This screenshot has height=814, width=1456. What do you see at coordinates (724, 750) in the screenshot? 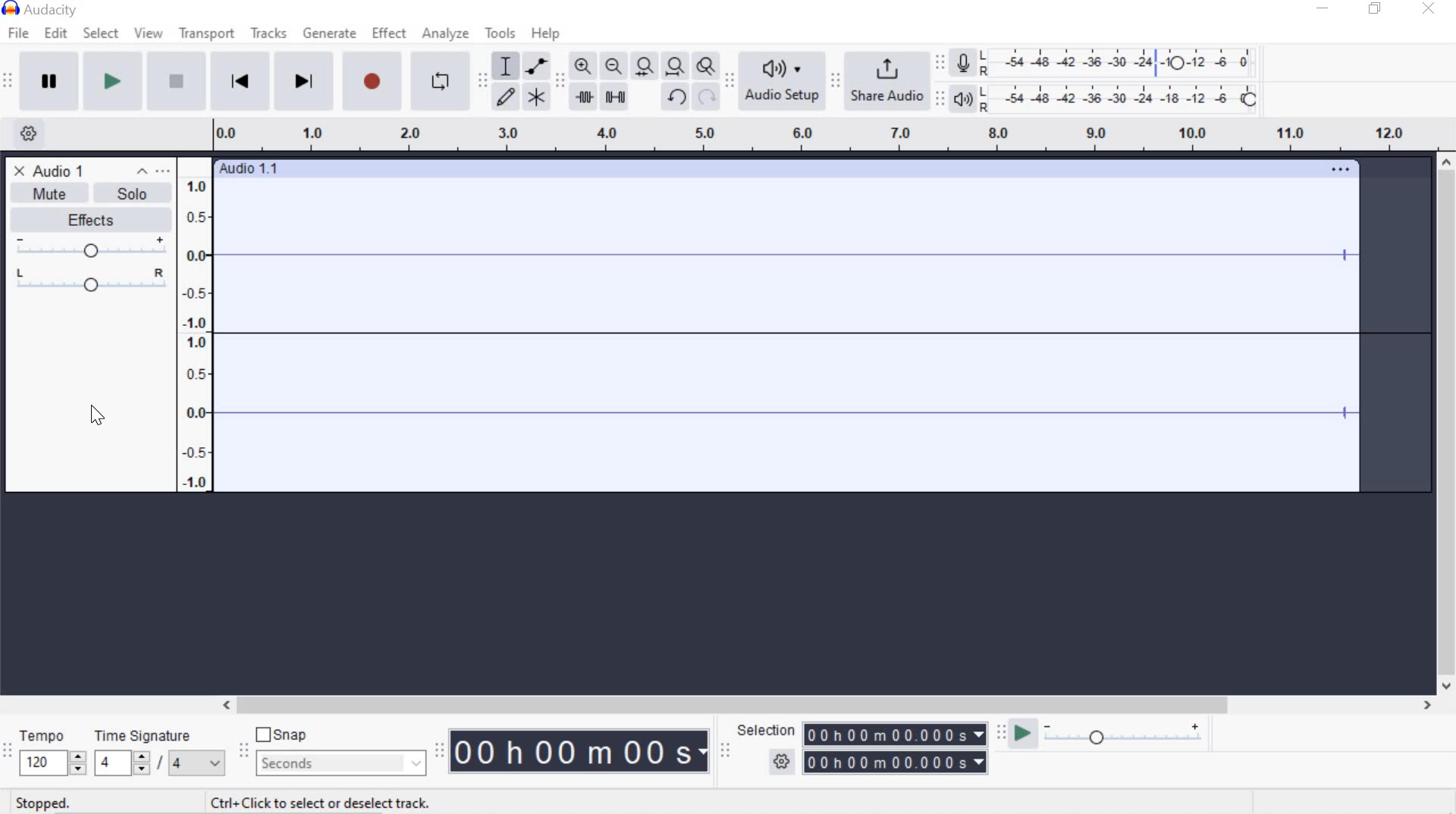
I see `Selection Toolbar` at bounding box center [724, 750].